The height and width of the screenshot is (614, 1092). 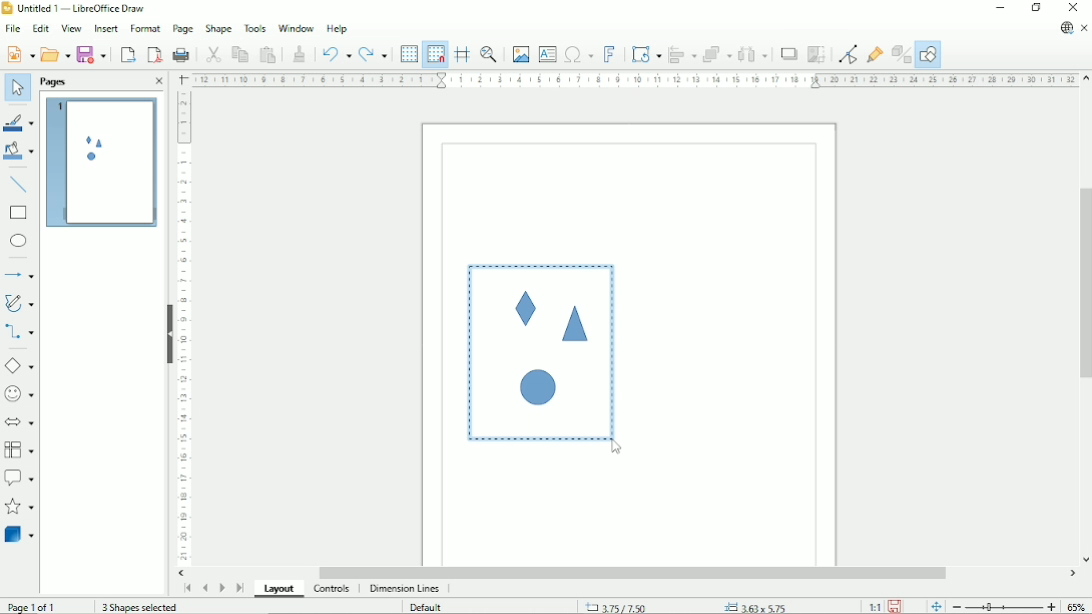 I want to click on Scroll to next page, so click(x=221, y=587).